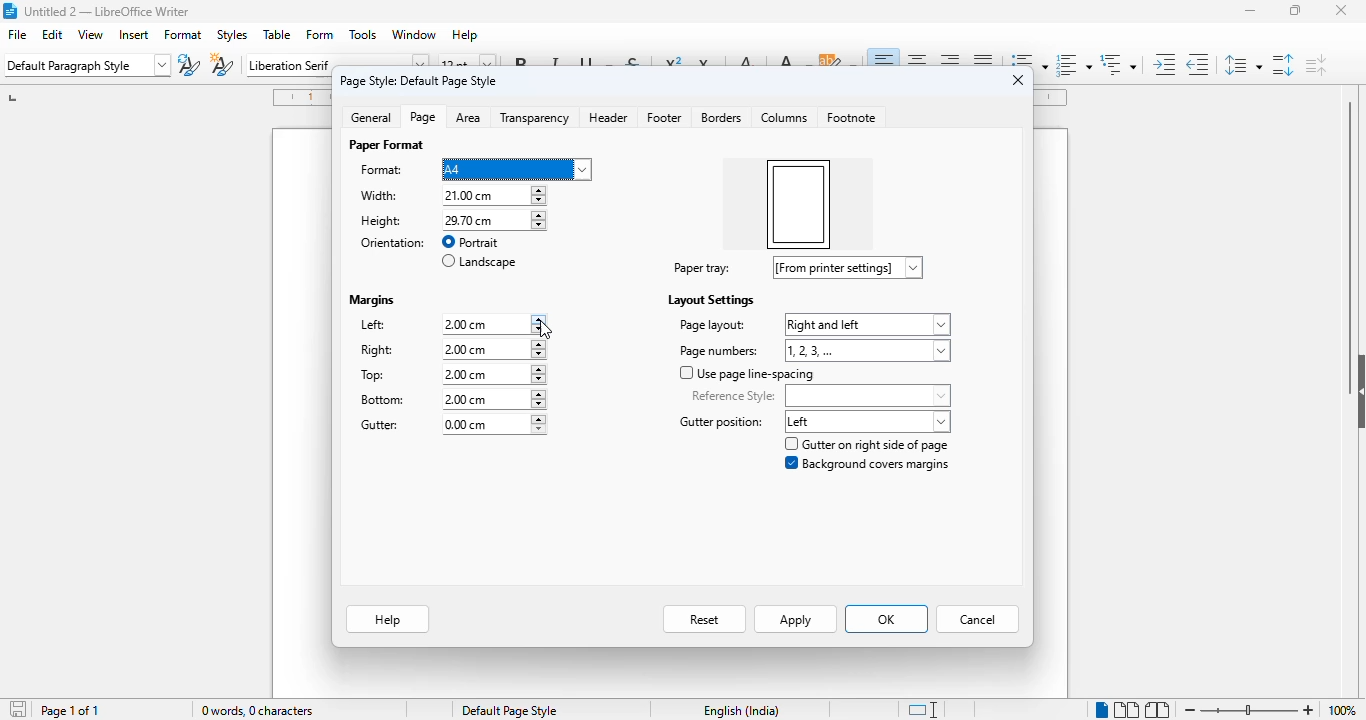 This screenshot has width=1366, height=720. What do you see at coordinates (1308, 710) in the screenshot?
I see `zoom in` at bounding box center [1308, 710].